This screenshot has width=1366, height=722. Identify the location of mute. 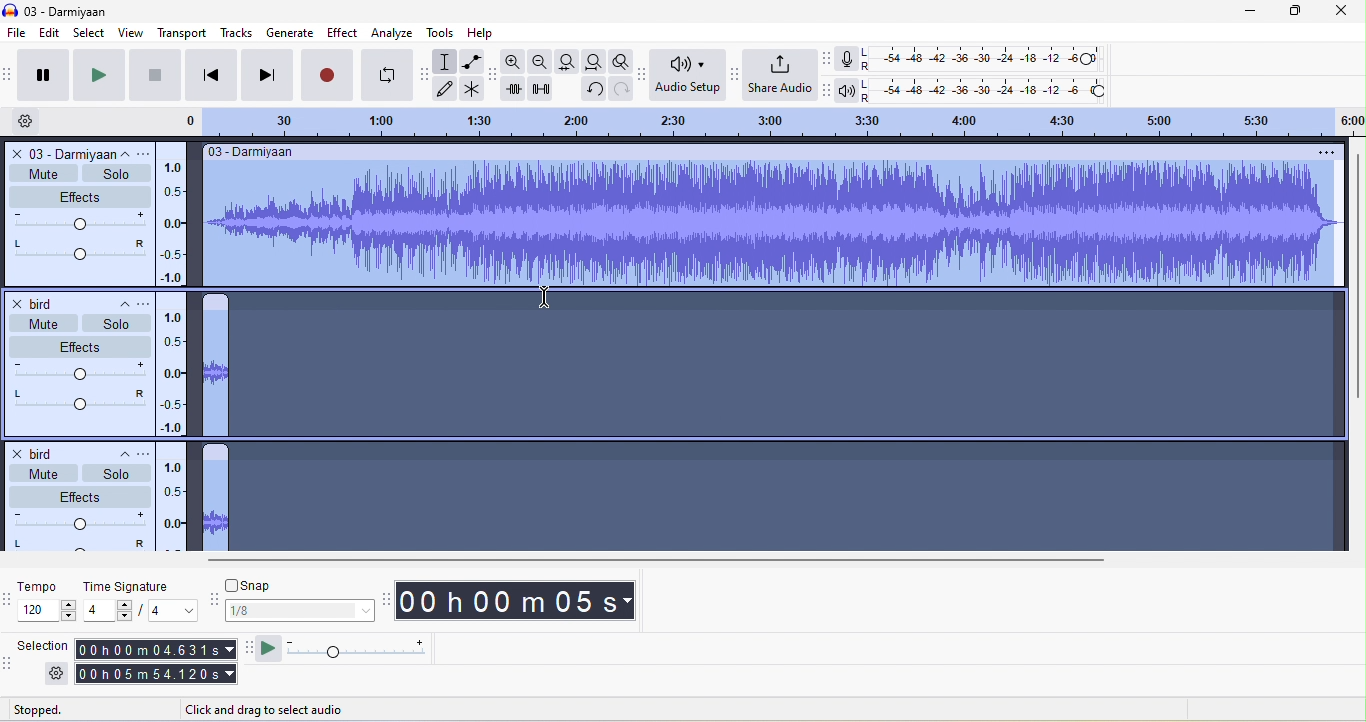
(40, 323).